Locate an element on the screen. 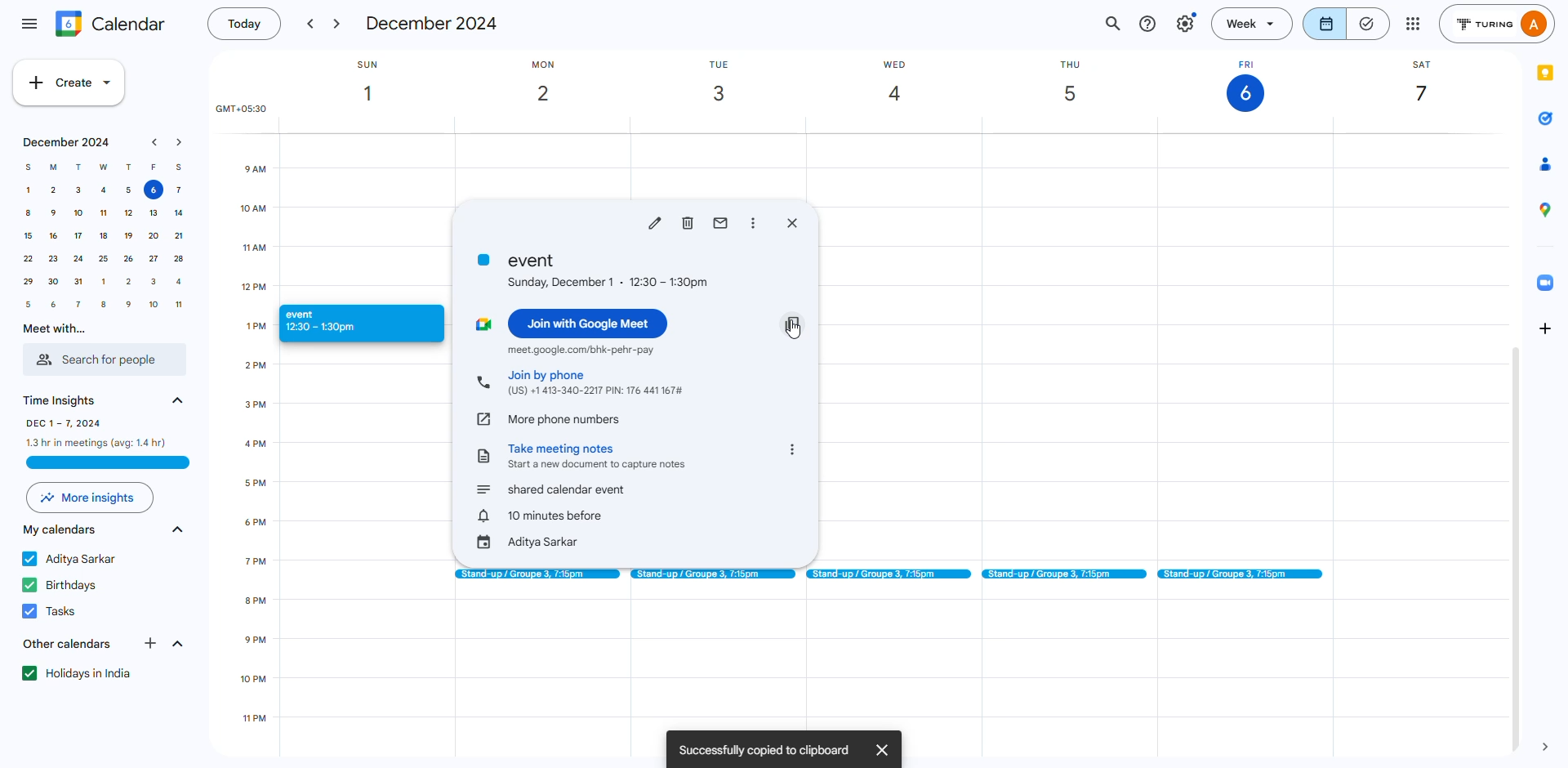 The width and height of the screenshot is (1568, 768). holiday is located at coordinates (81, 673).